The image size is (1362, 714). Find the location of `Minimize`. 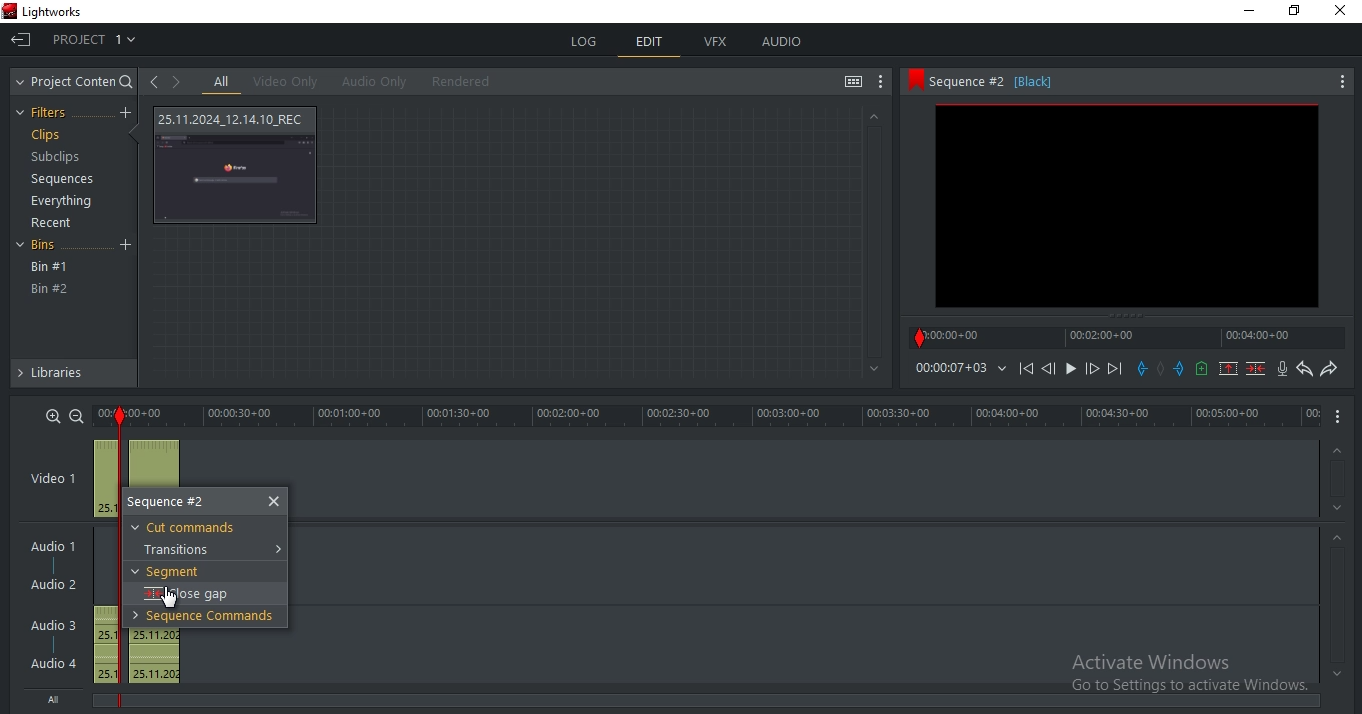

Minimize is located at coordinates (1246, 12).